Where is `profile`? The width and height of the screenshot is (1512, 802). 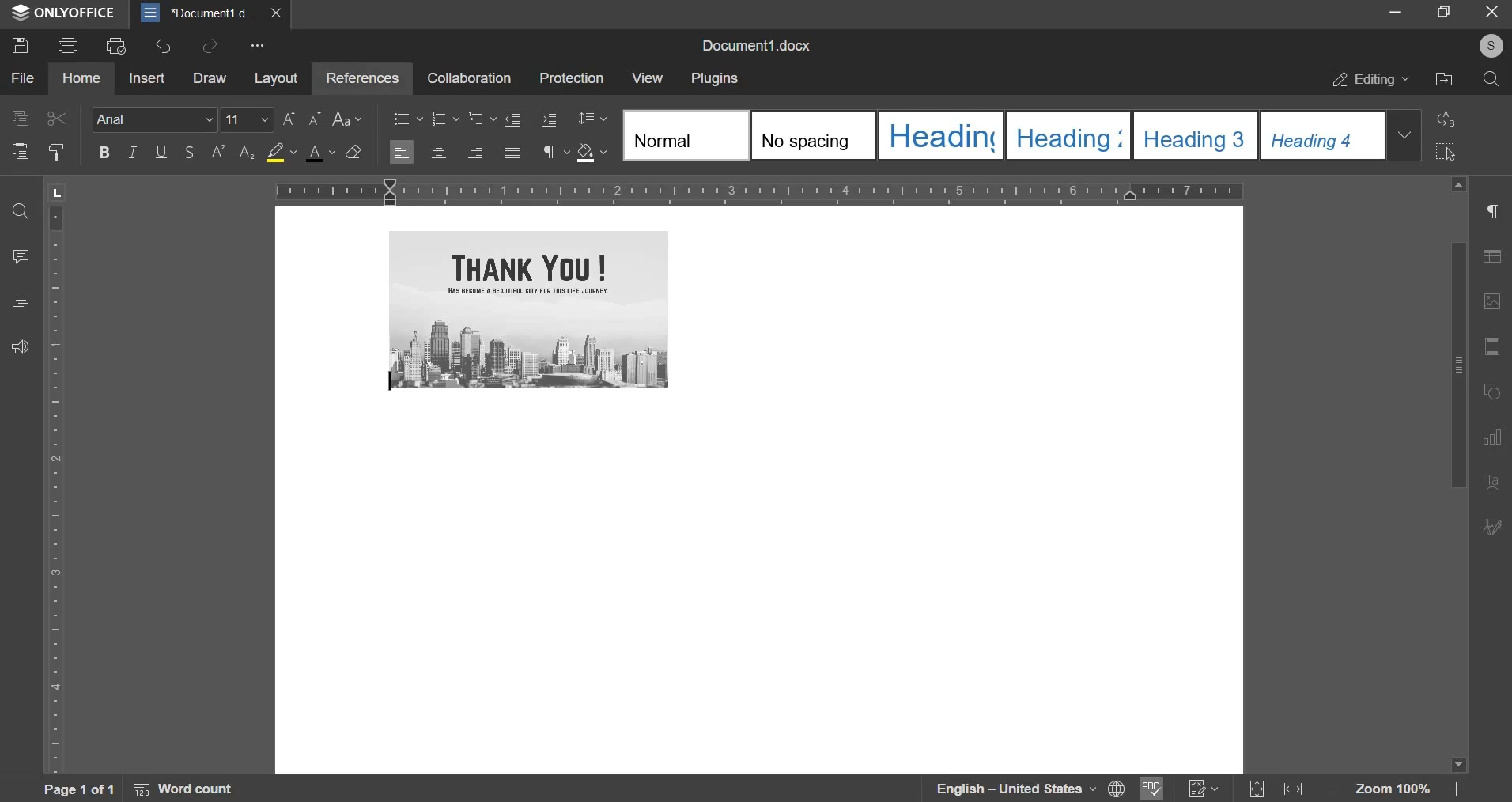 profile is located at coordinates (1489, 47).